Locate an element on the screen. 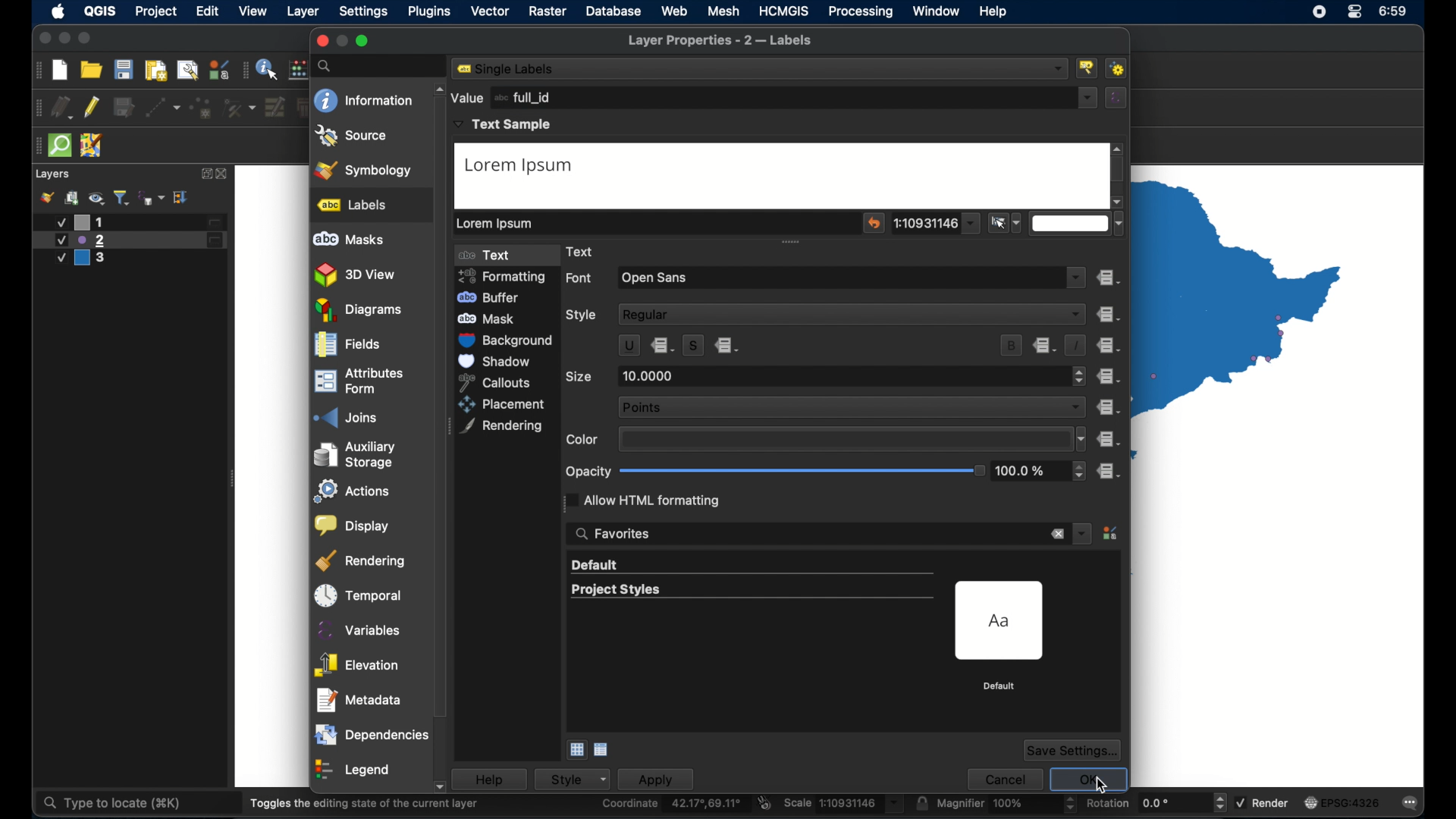  vertex tool is located at coordinates (240, 108).